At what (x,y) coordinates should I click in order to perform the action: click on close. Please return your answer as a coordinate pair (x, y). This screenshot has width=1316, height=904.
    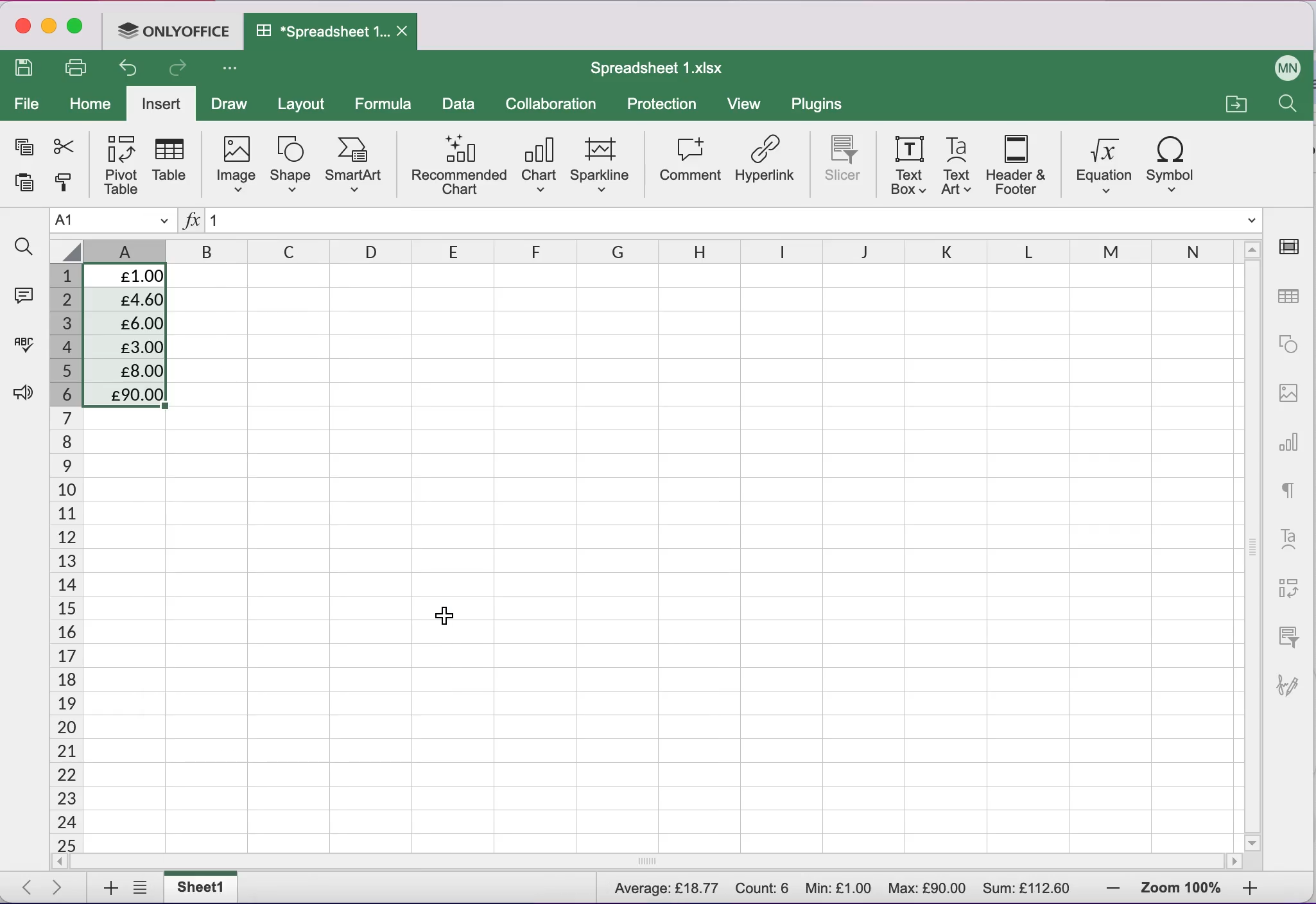
    Looking at the image, I should click on (22, 31).